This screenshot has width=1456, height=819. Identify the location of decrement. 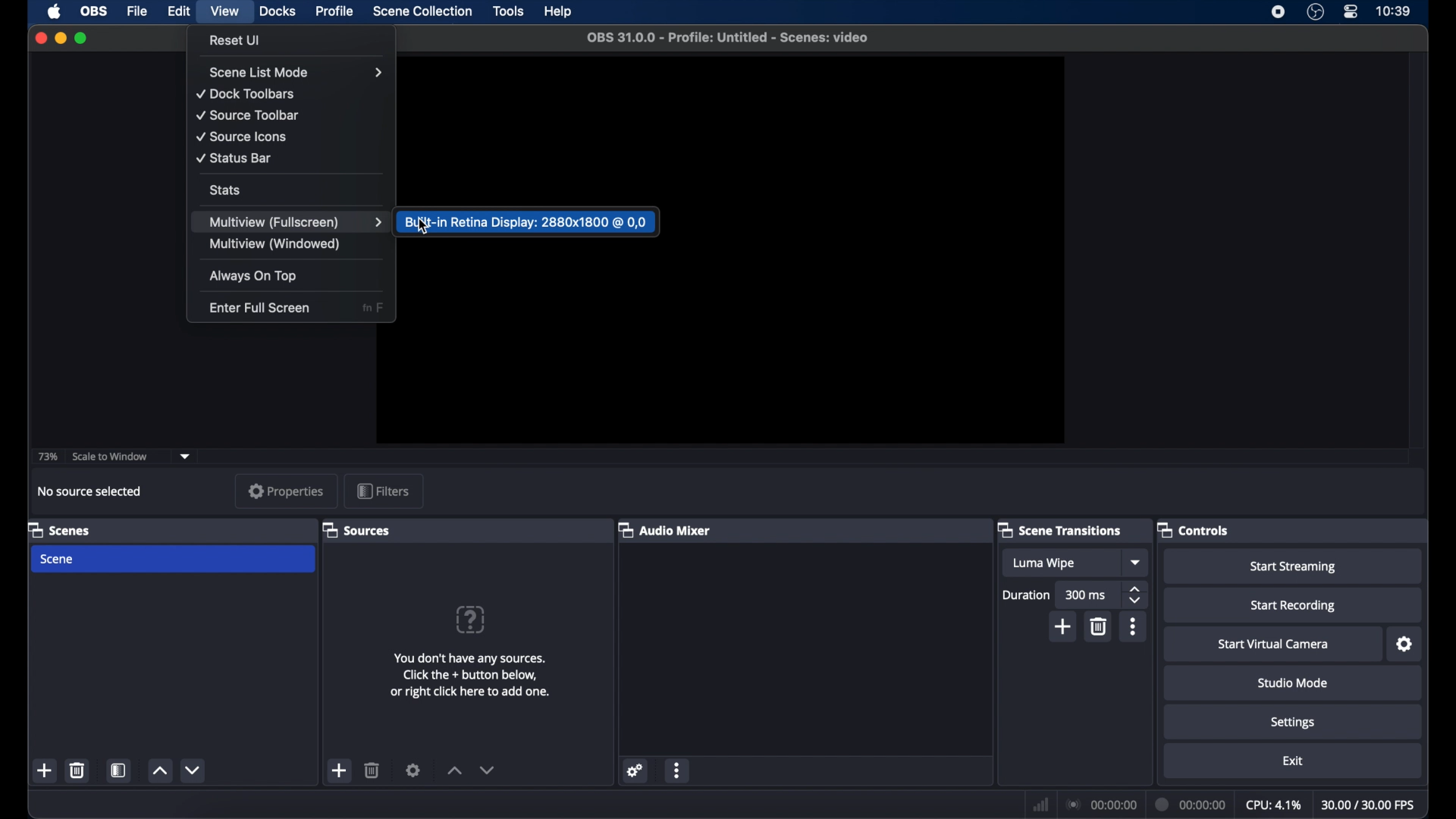
(192, 770).